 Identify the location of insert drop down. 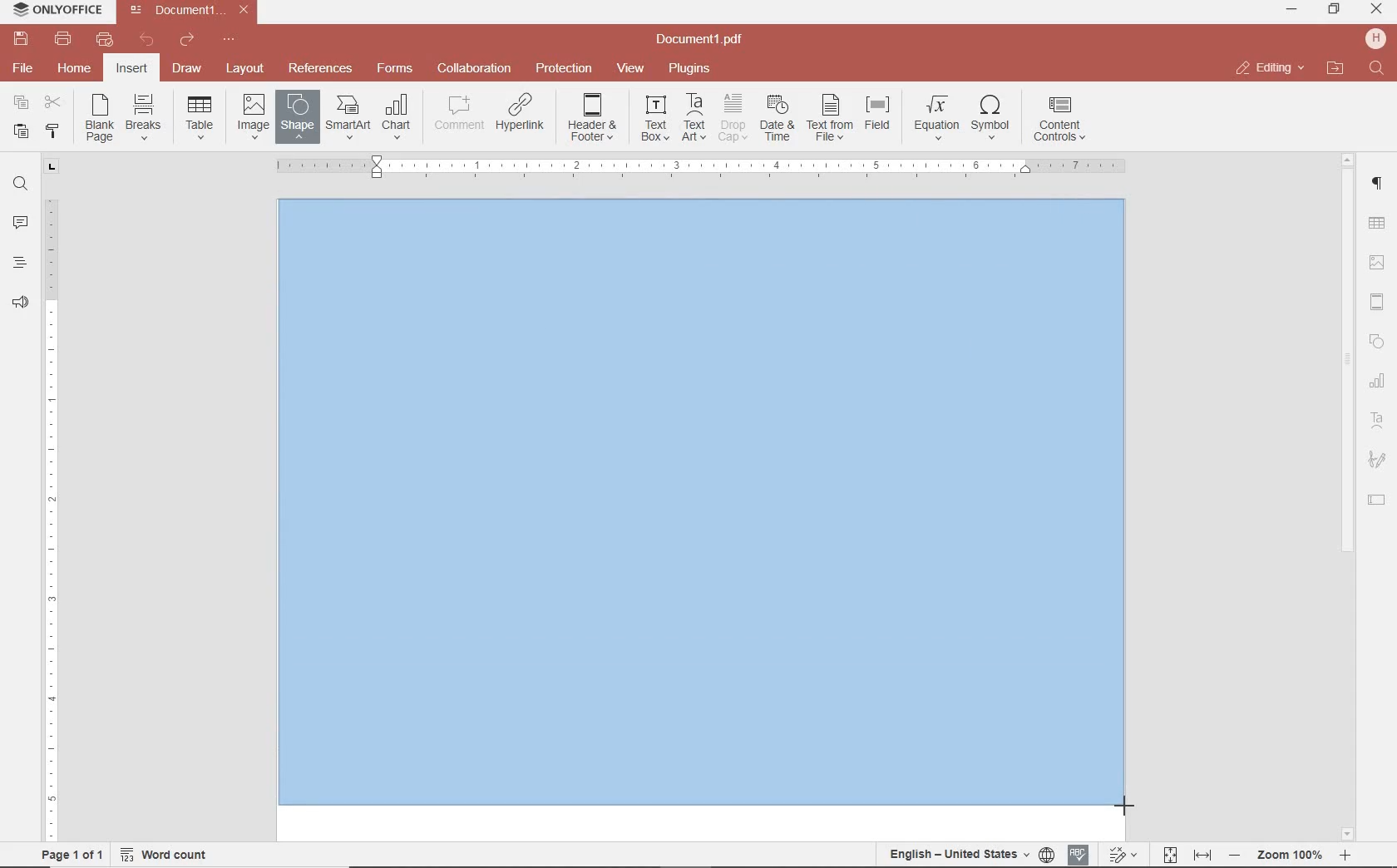
(205, 116).